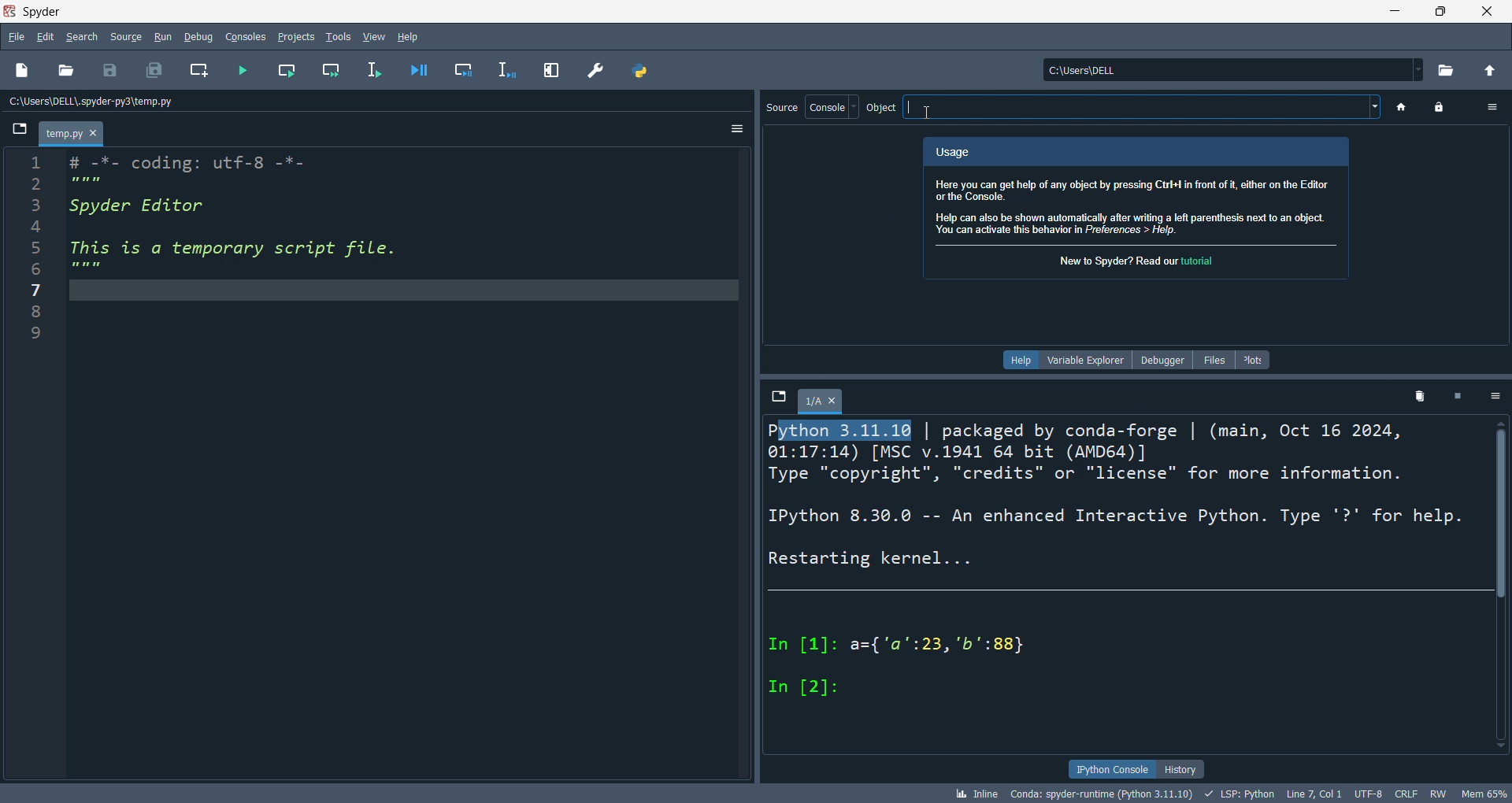 Image resolution: width=1512 pixels, height=803 pixels. Describe the element at coordinates (504, 68) in the screenshot. I see `debug line` at that location.